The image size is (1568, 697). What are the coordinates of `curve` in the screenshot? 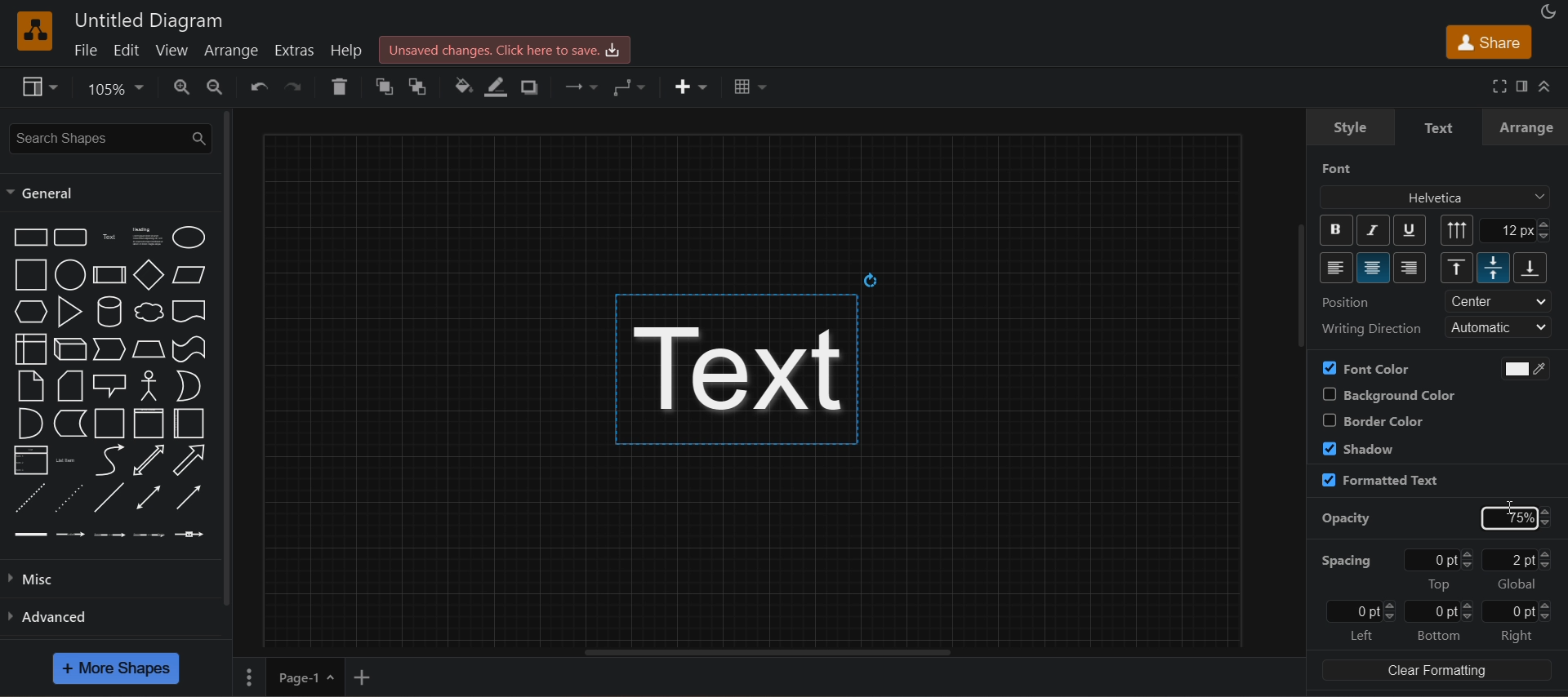 It's located at (108, 460).